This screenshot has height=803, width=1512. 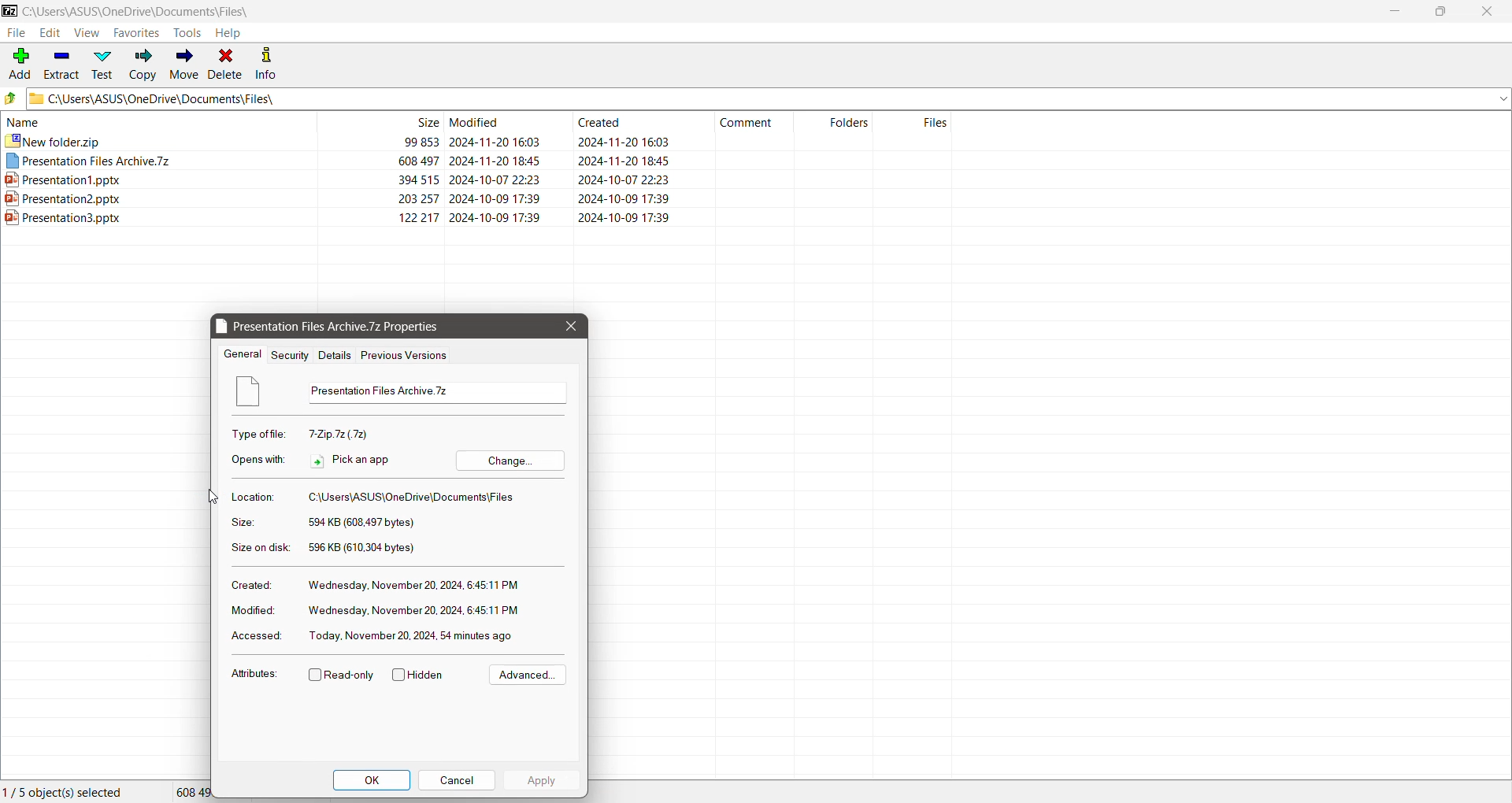 What do you see at coordinates (252, 585) in the screenshot?
I see `Created` at bounding box center [252, 585].